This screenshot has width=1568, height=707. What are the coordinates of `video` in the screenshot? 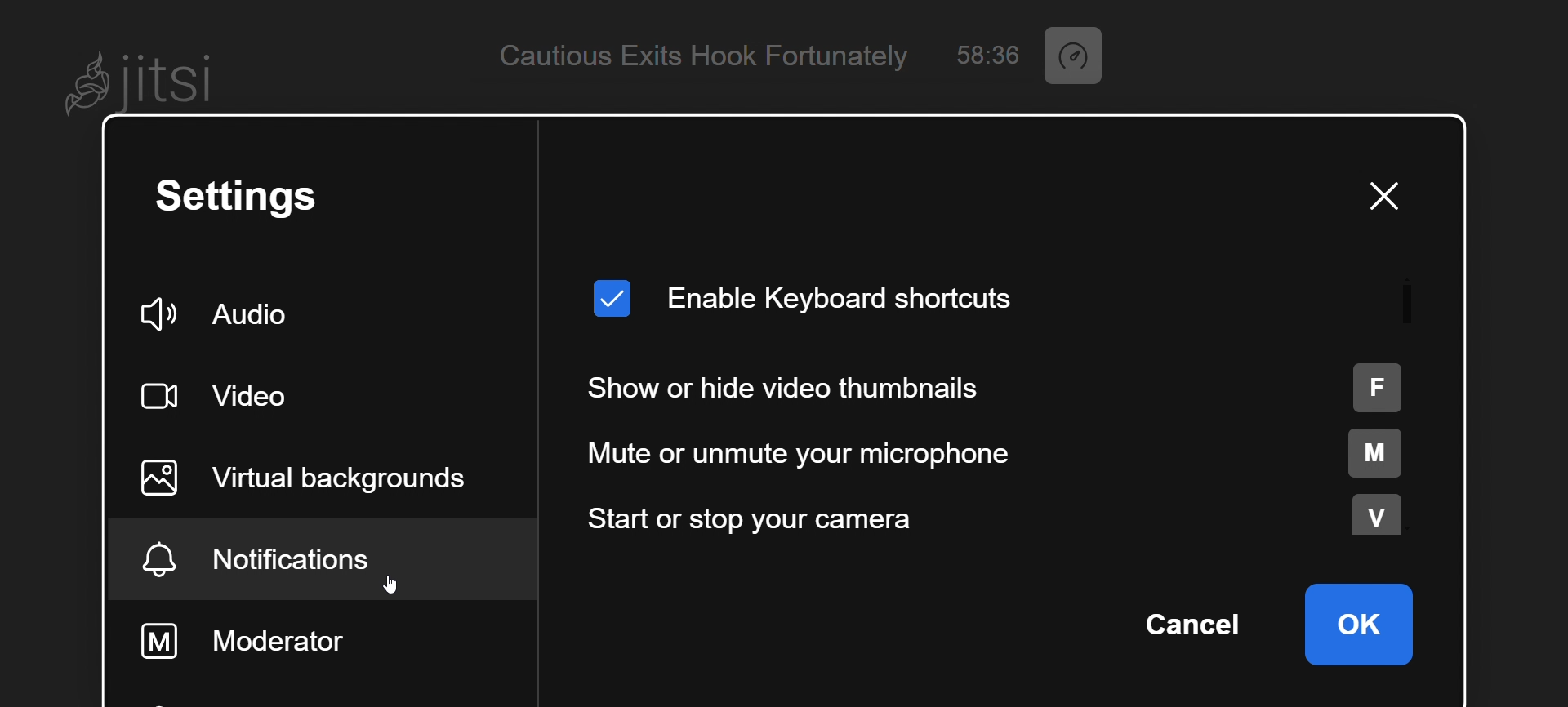 It's located at (229, 395).